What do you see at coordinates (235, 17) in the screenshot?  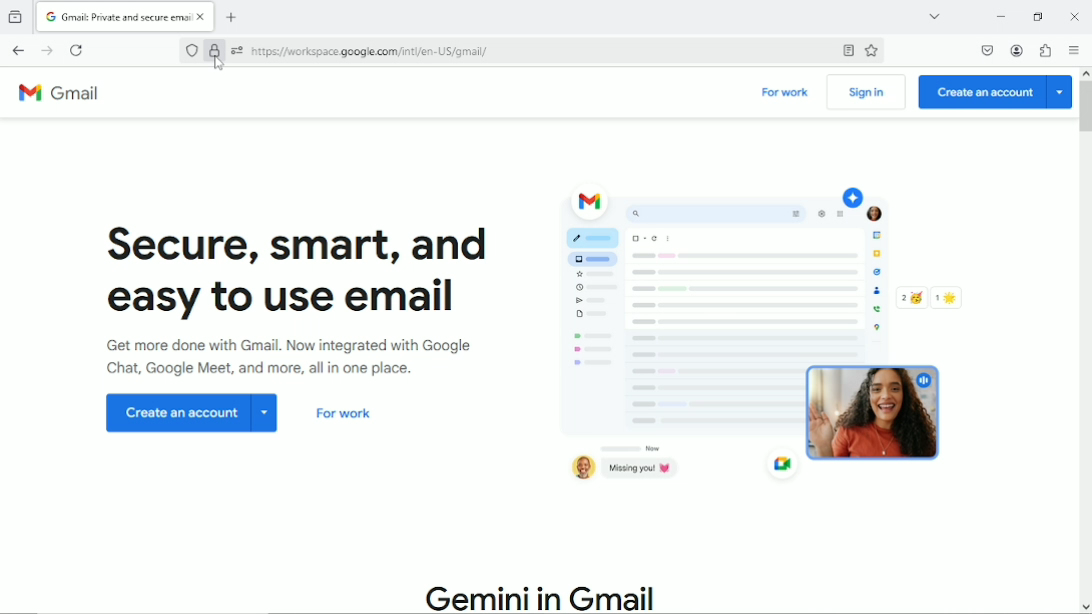 I see `New tab` at bounding box center [235, 17].